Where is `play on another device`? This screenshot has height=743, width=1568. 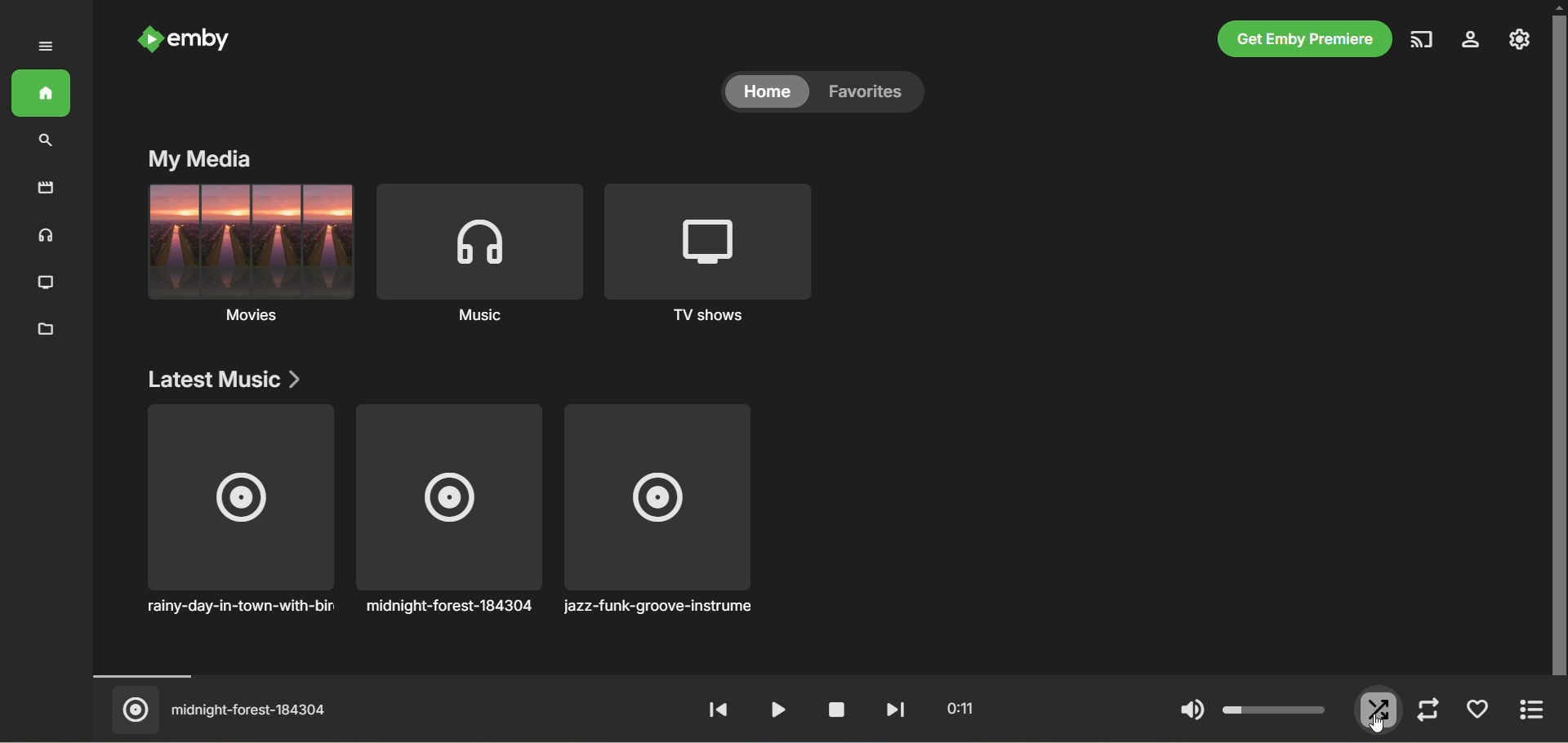
play on another device is located at coordinates (1423, 40).